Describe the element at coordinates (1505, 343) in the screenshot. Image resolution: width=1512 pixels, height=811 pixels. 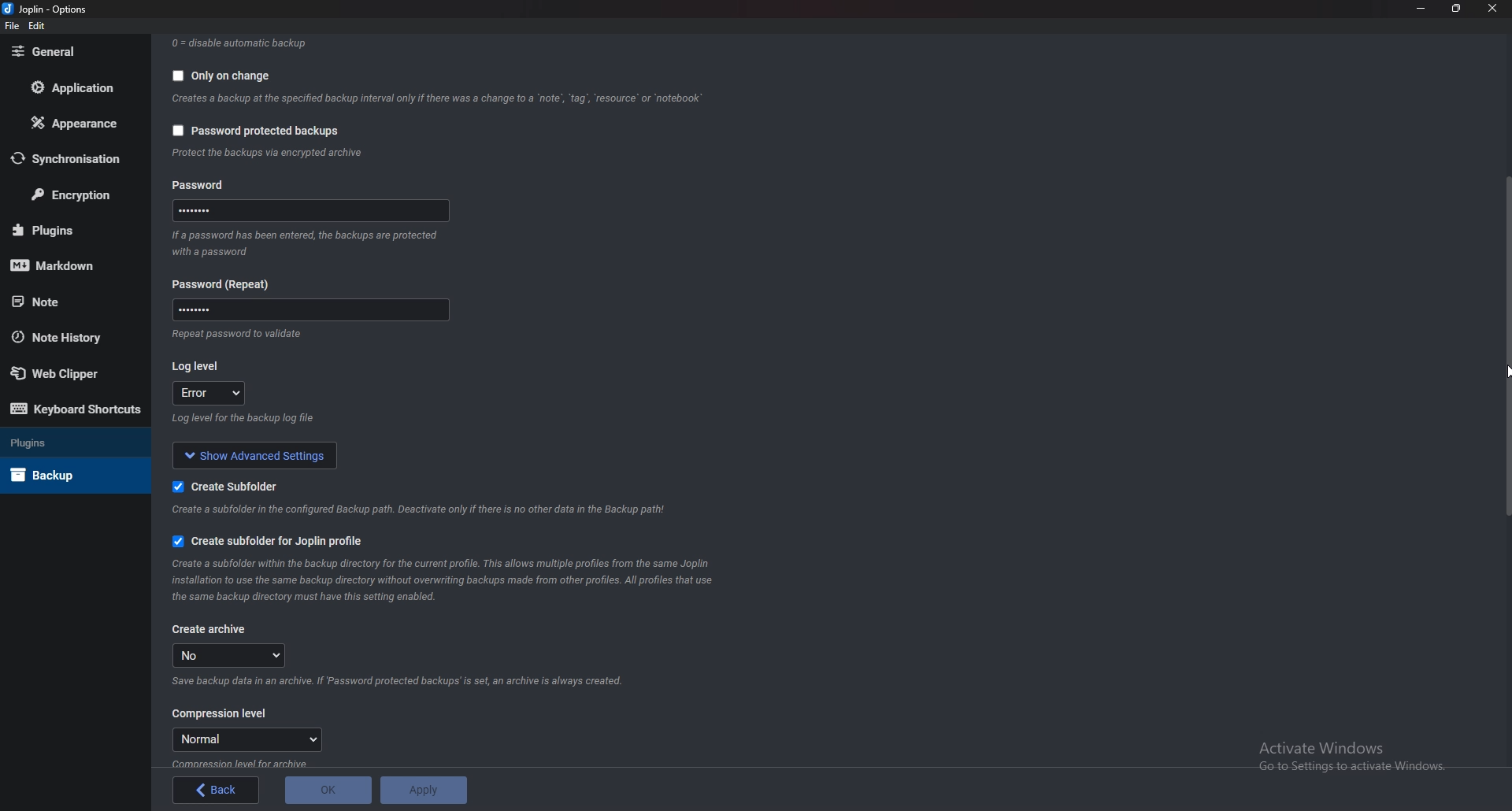
I see `Scroll bar` at that location.